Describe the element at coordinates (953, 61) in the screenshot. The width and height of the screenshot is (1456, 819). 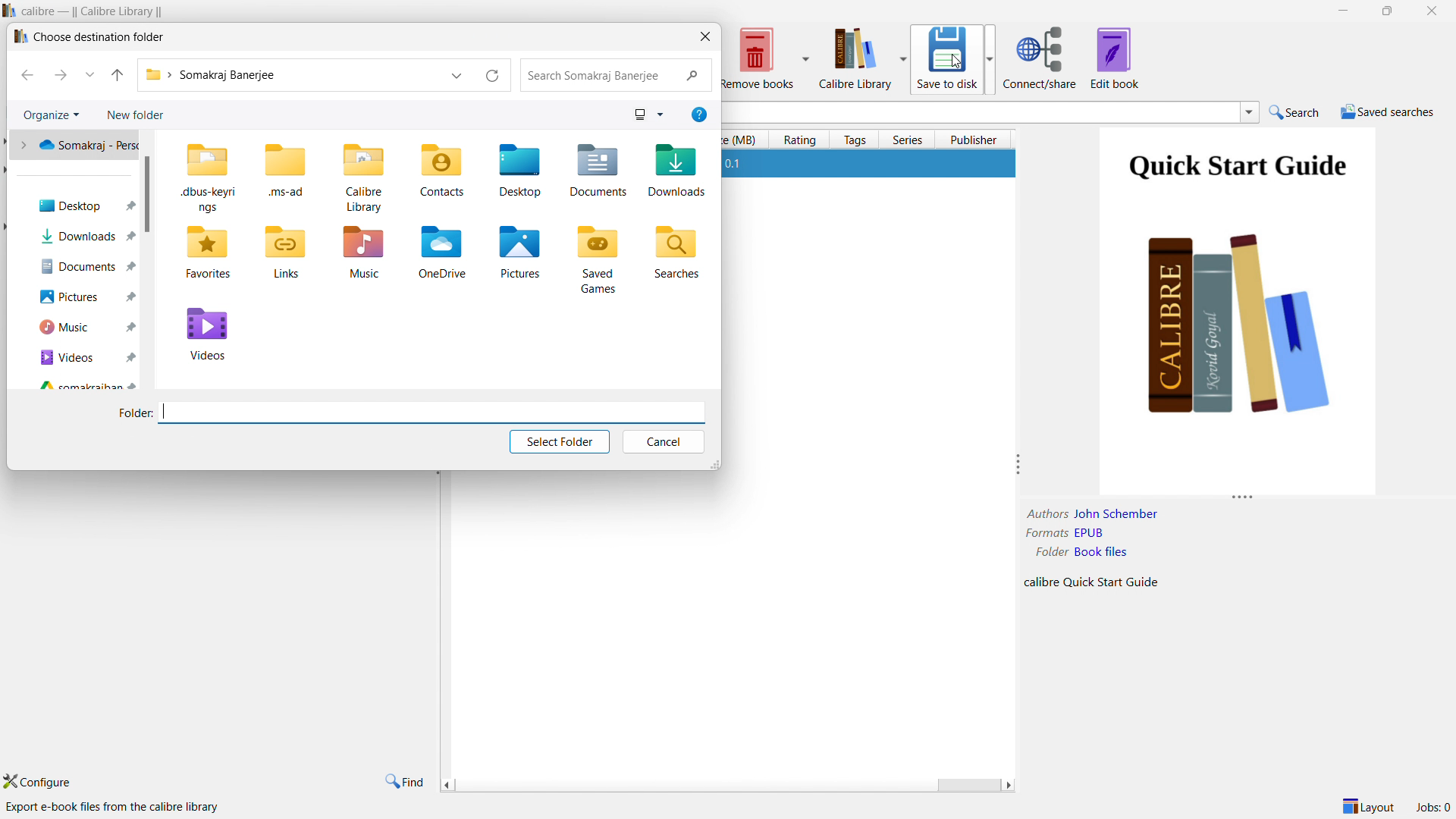
I see `cursor` at that location.